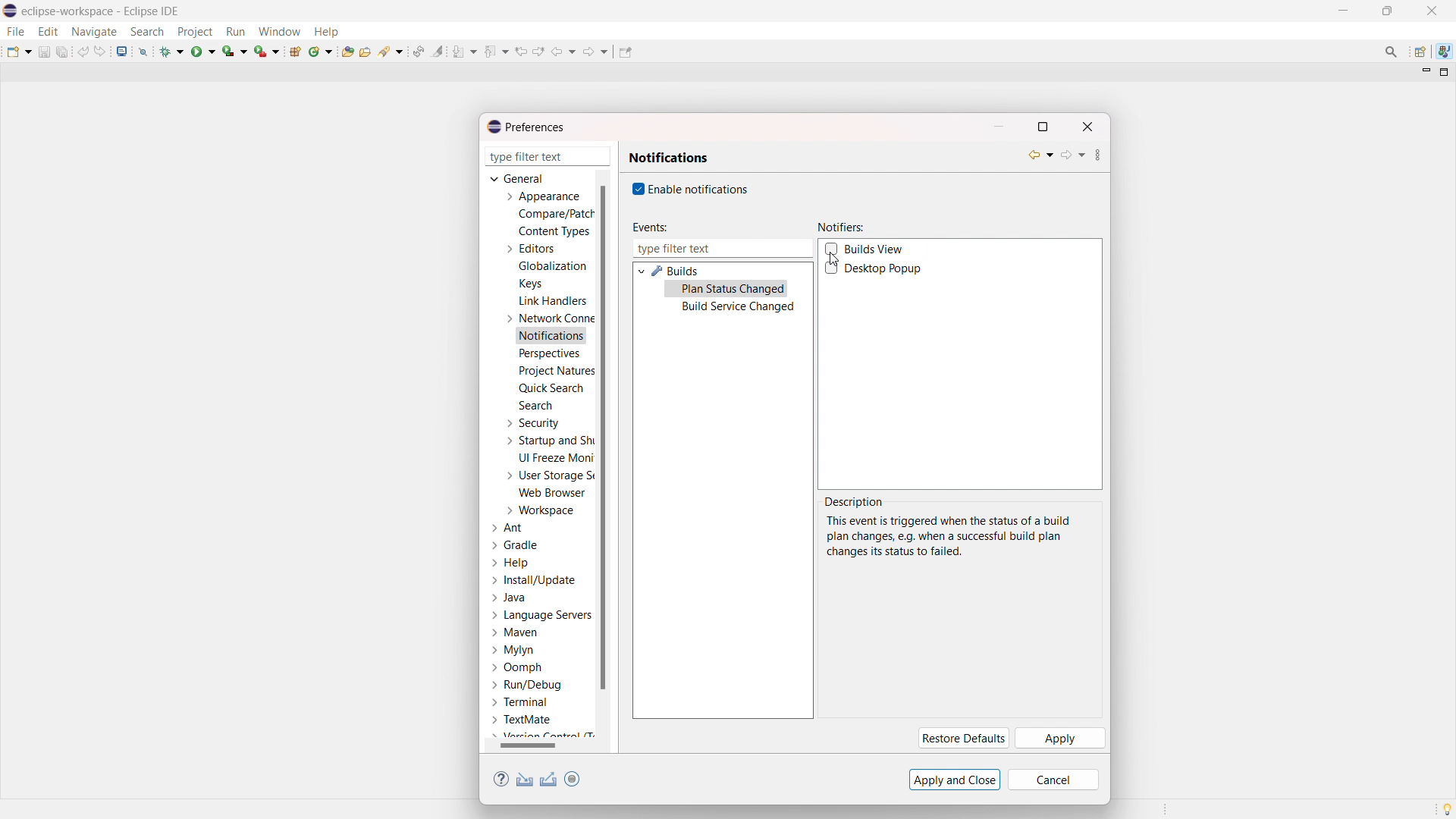  What do you see at coordinates (1040, 155) in the screenshot?
I see `back` at bounding box center [1040, 155].